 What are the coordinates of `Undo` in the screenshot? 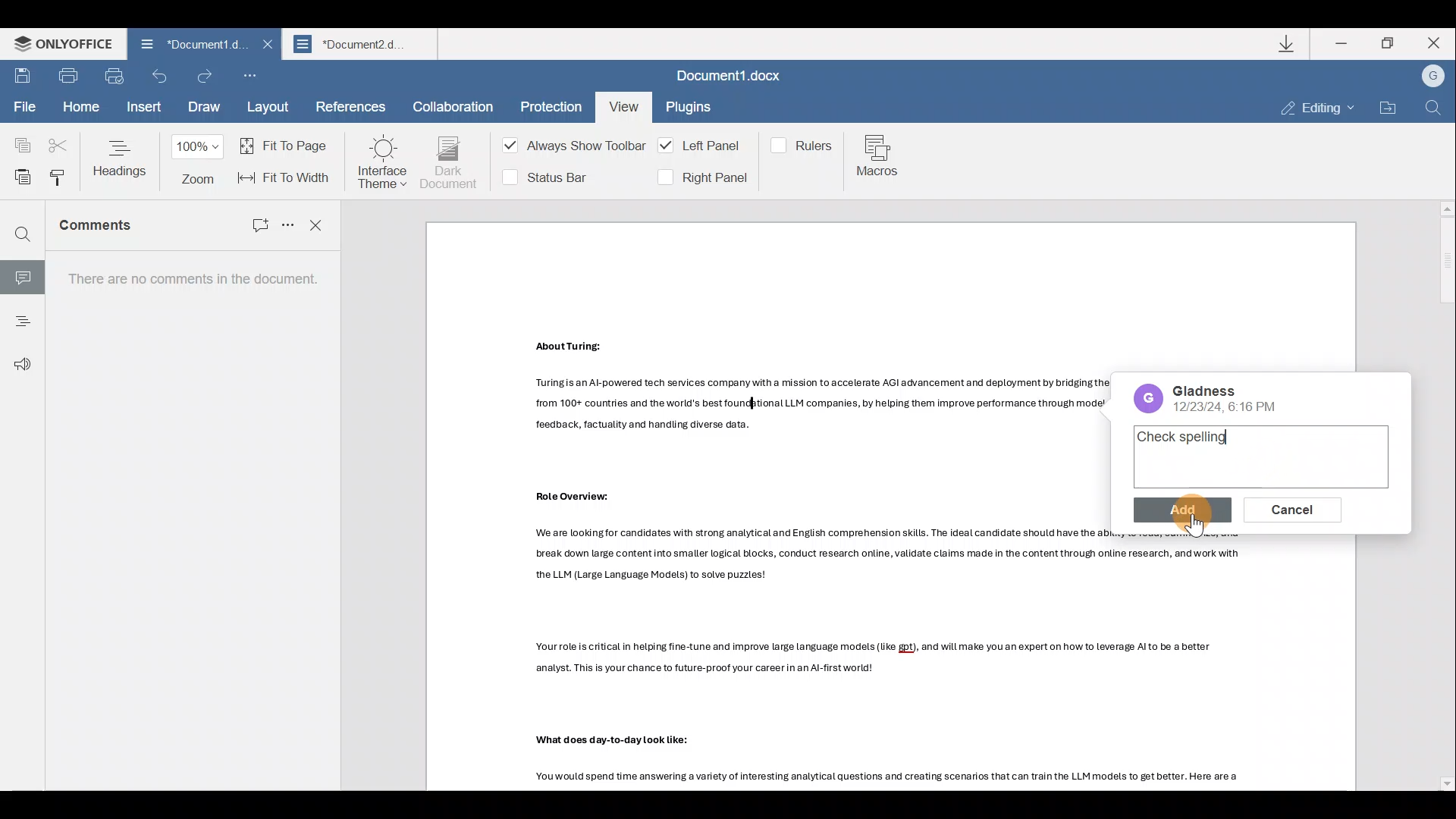 It's located at (161, 80).